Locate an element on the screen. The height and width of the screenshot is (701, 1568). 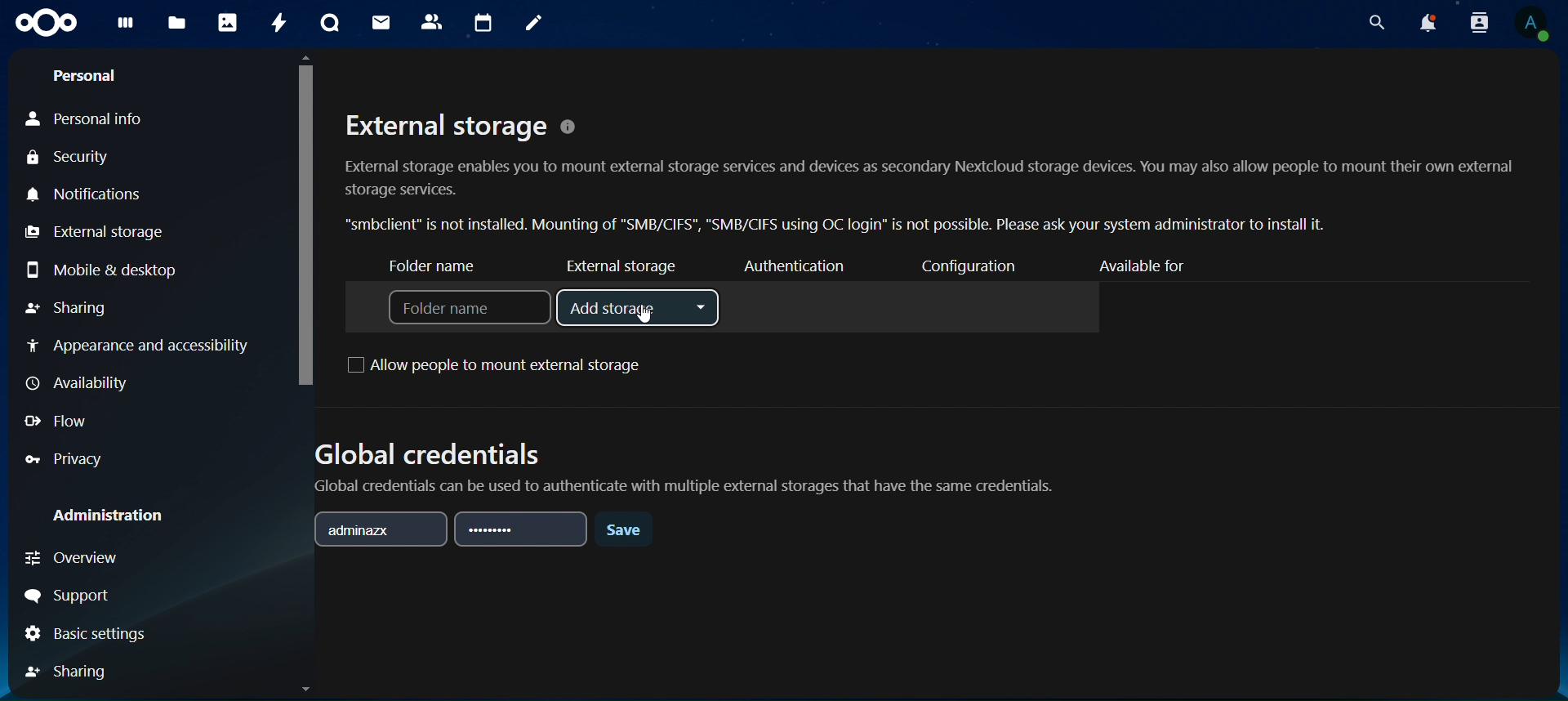
files is located at coordinates (176, 25).